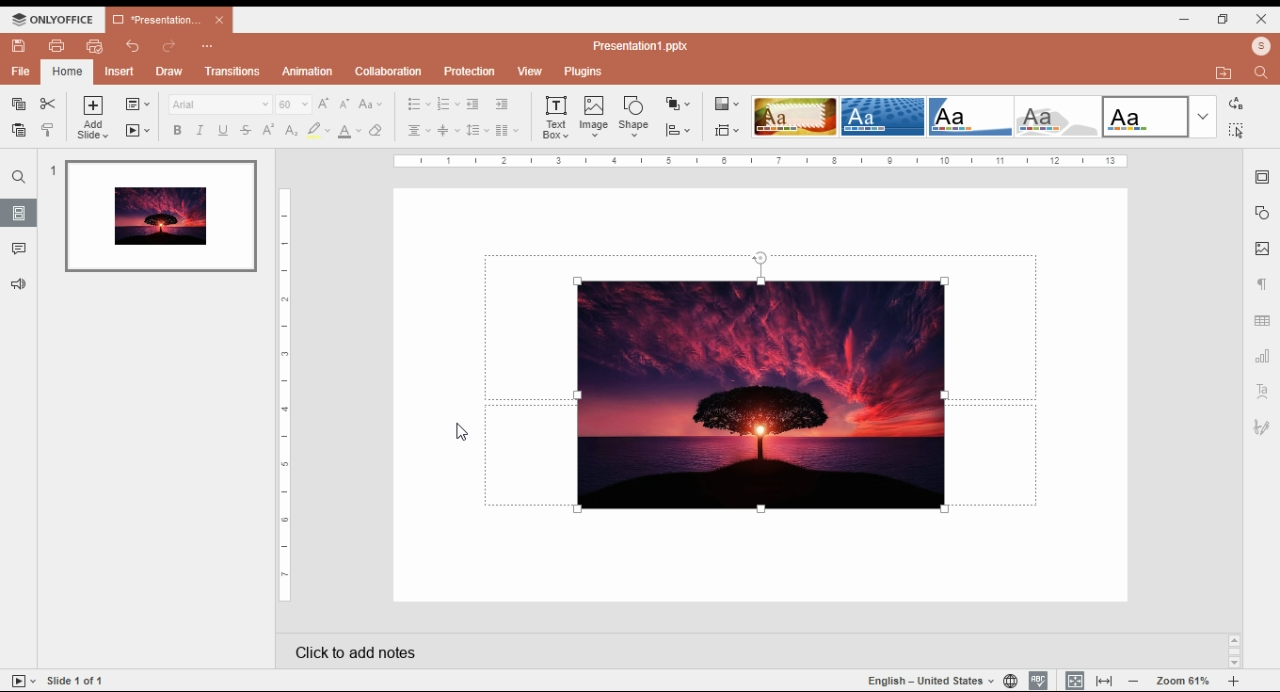 Image resolution: width=1280 pixels, height=692 pixels. What do you see at coordinates (477, 130) in the screenshot?
I see `lince spacing` at bounding box center [477, 130].